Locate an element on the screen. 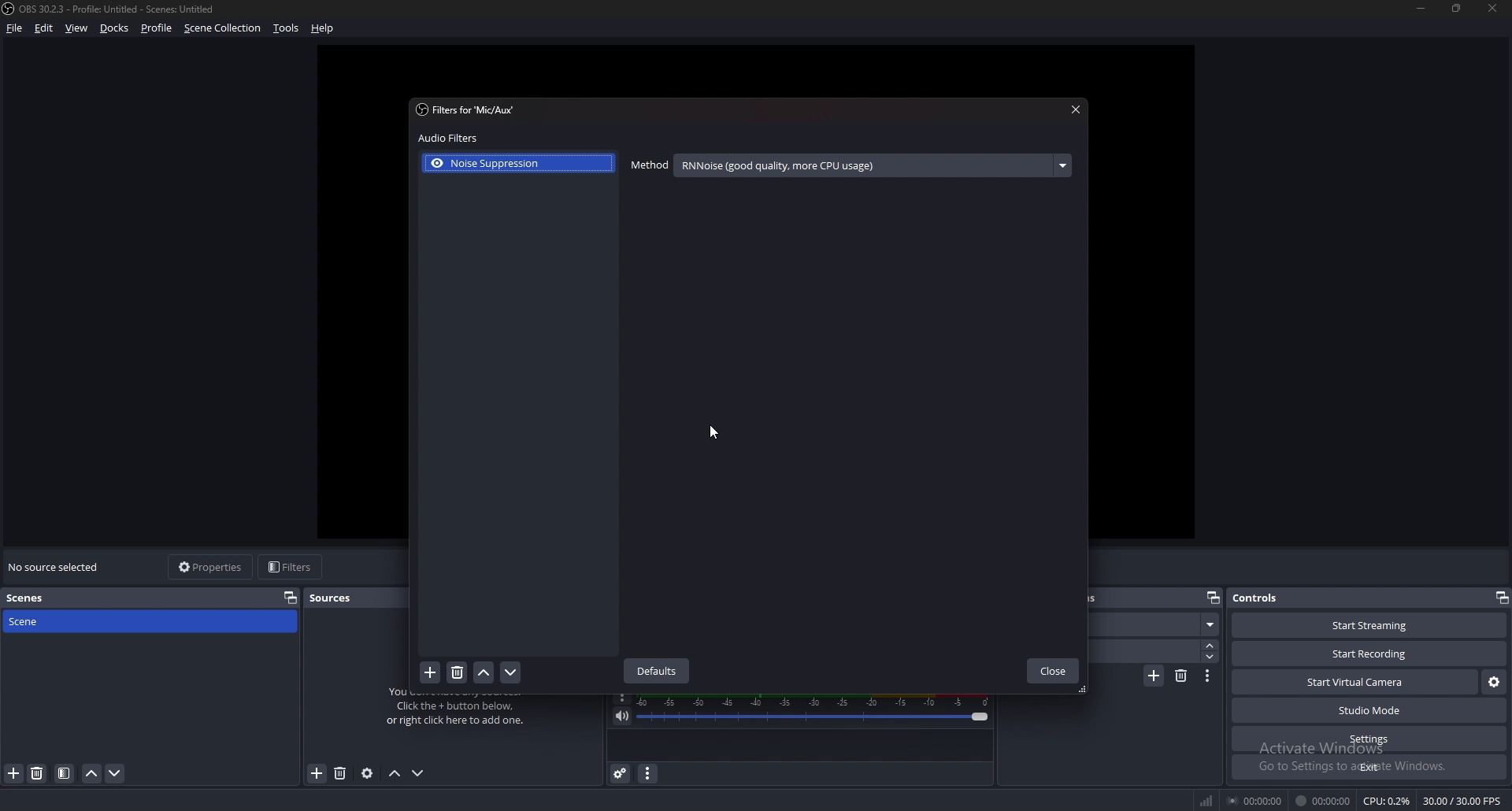 The image size is (1512, 811). resize is located at coordinates (1459, 8).